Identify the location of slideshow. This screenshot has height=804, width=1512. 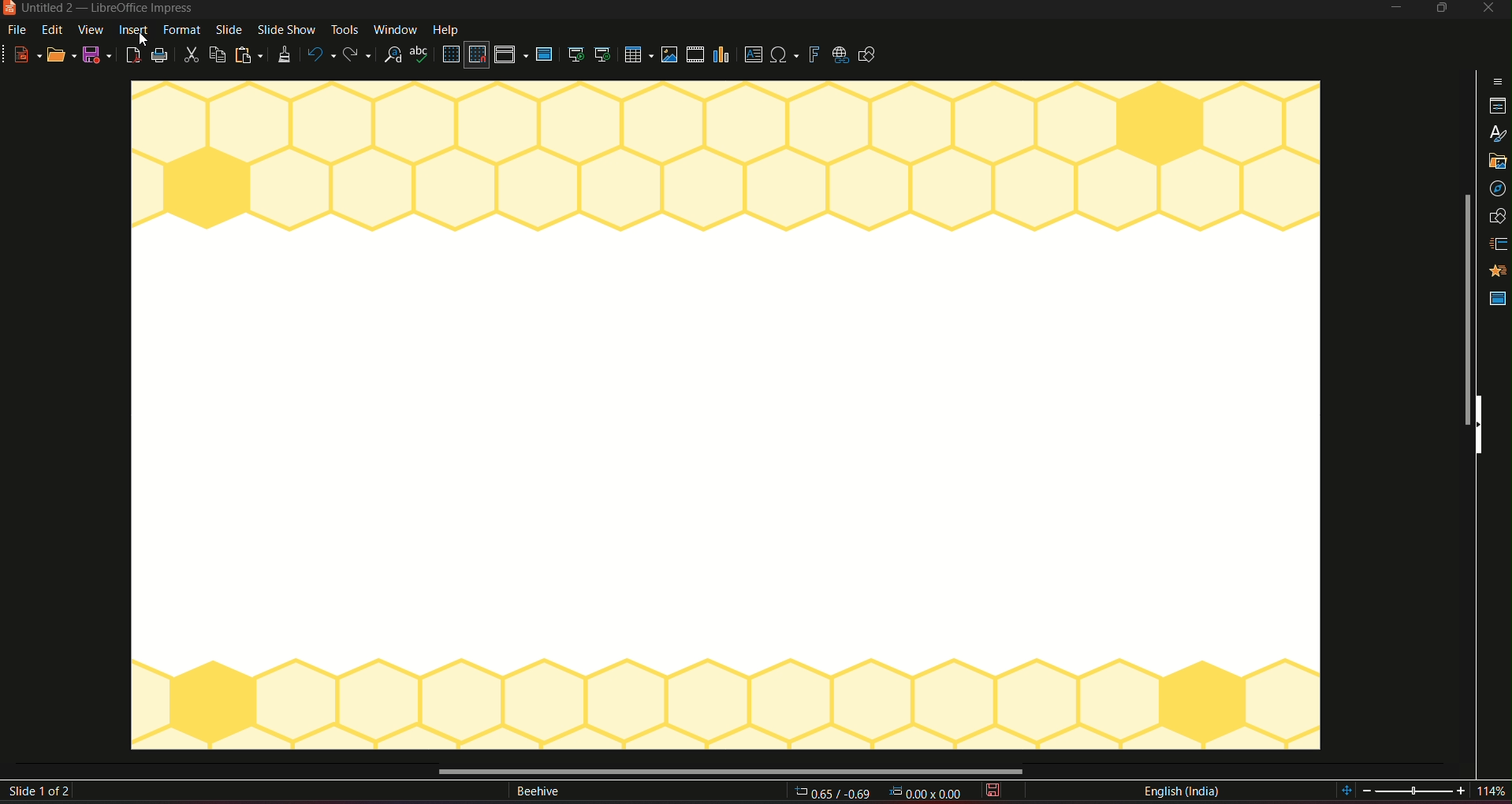
(286, 31).